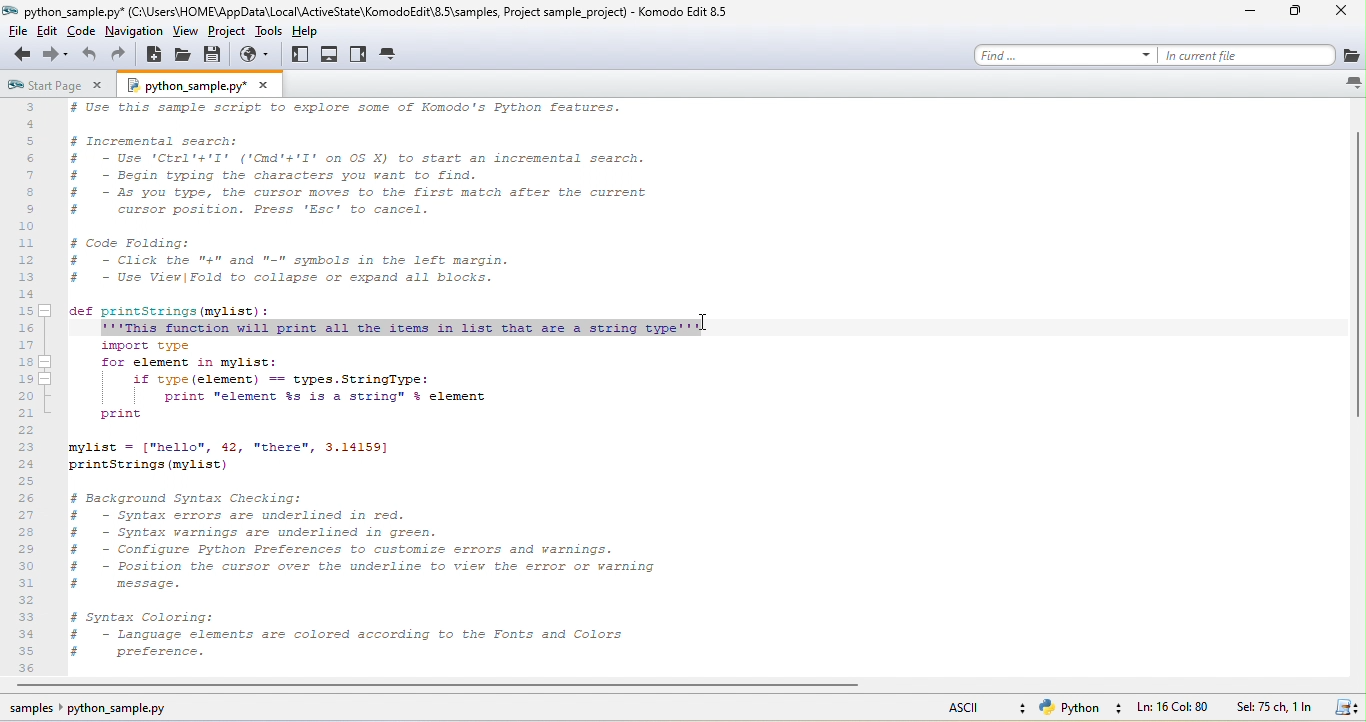  What do you see at coordinates (184, 56) in the screenshot?
I see `open` at bounding box center [184, 56].